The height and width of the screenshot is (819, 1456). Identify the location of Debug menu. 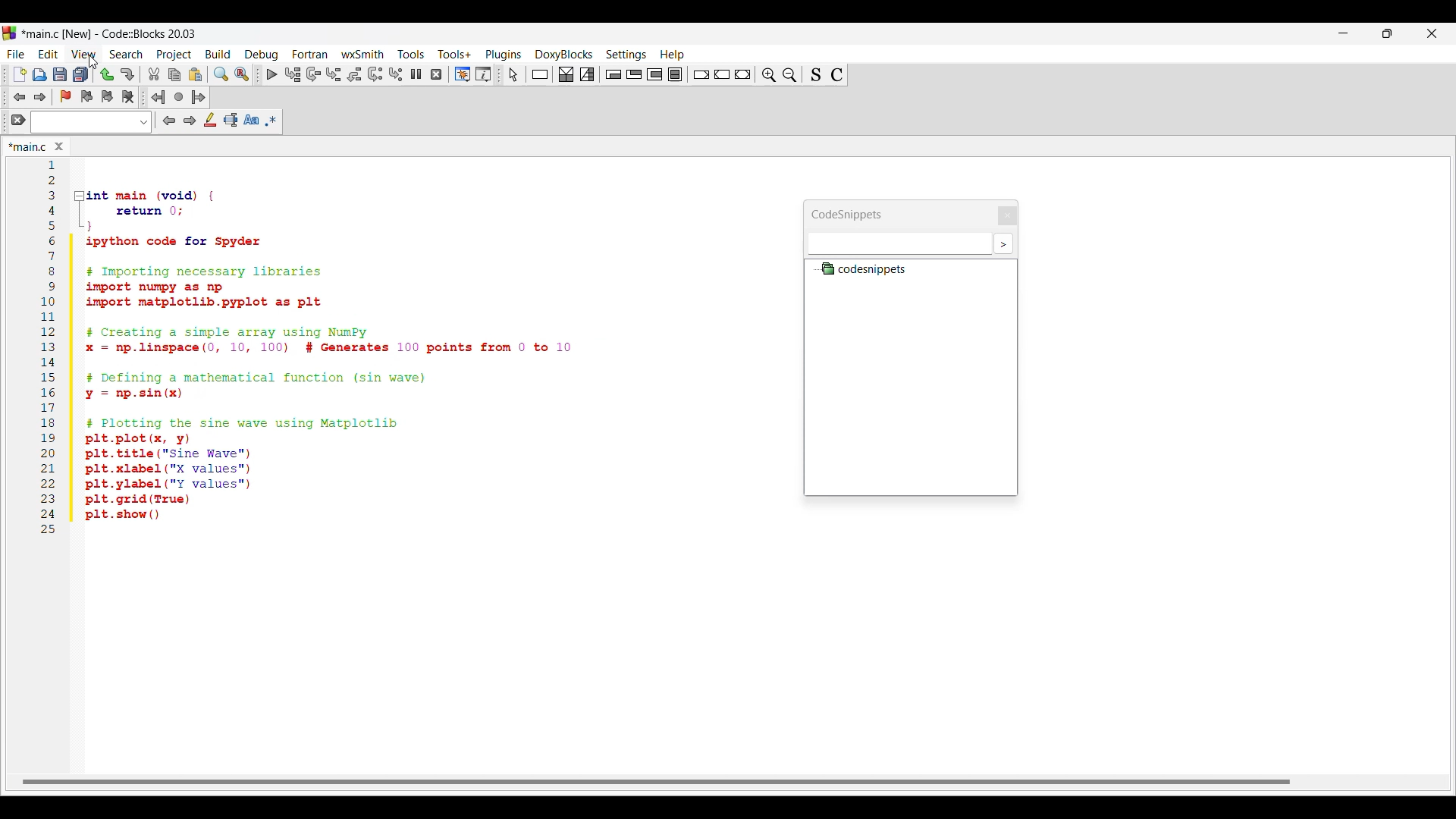
(262, 55).